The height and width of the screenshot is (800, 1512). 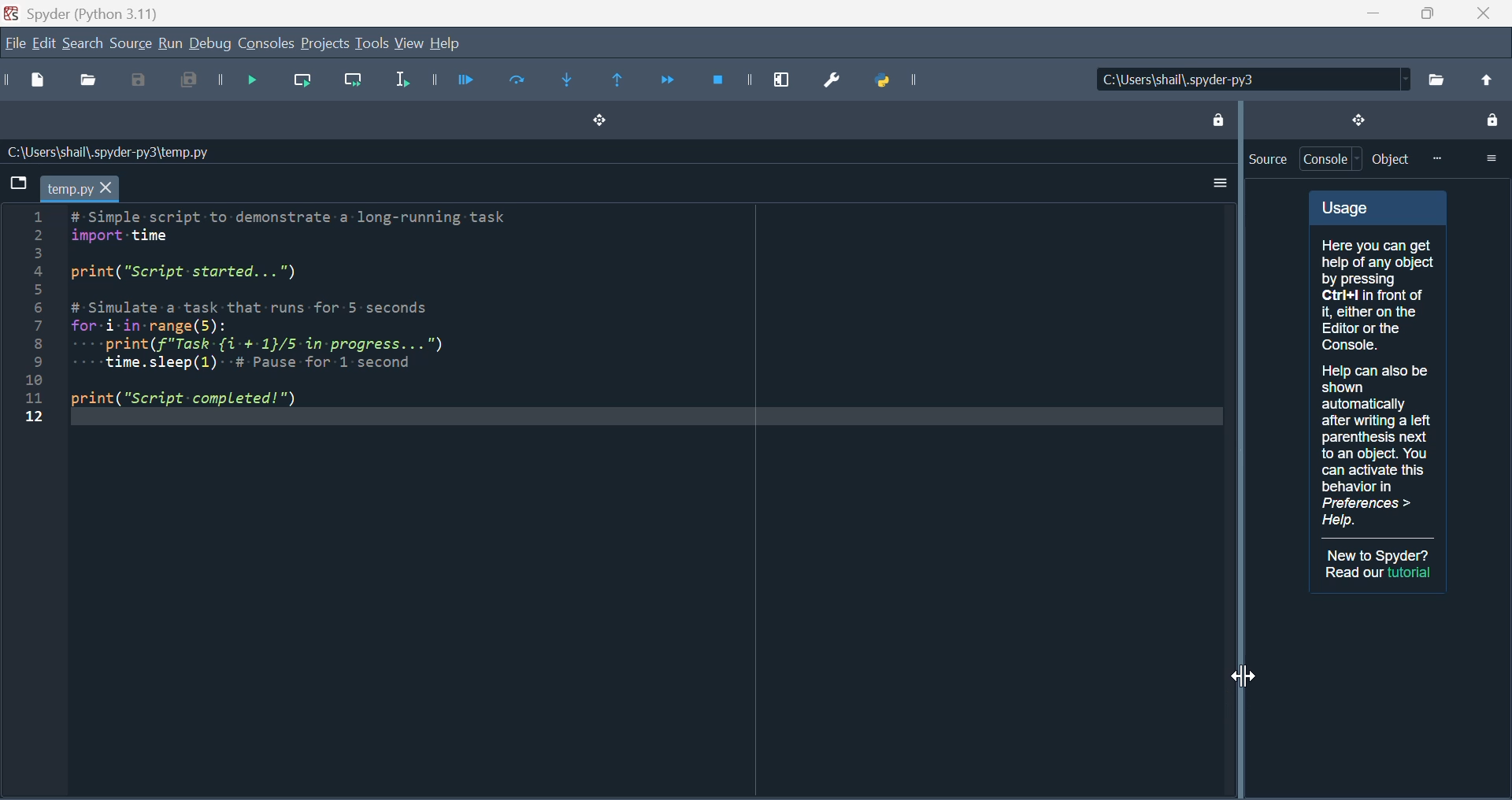 What do you see at coordinates (518, 81) in the screenshot?
I see `run current file` at bounding box center [518, 81].